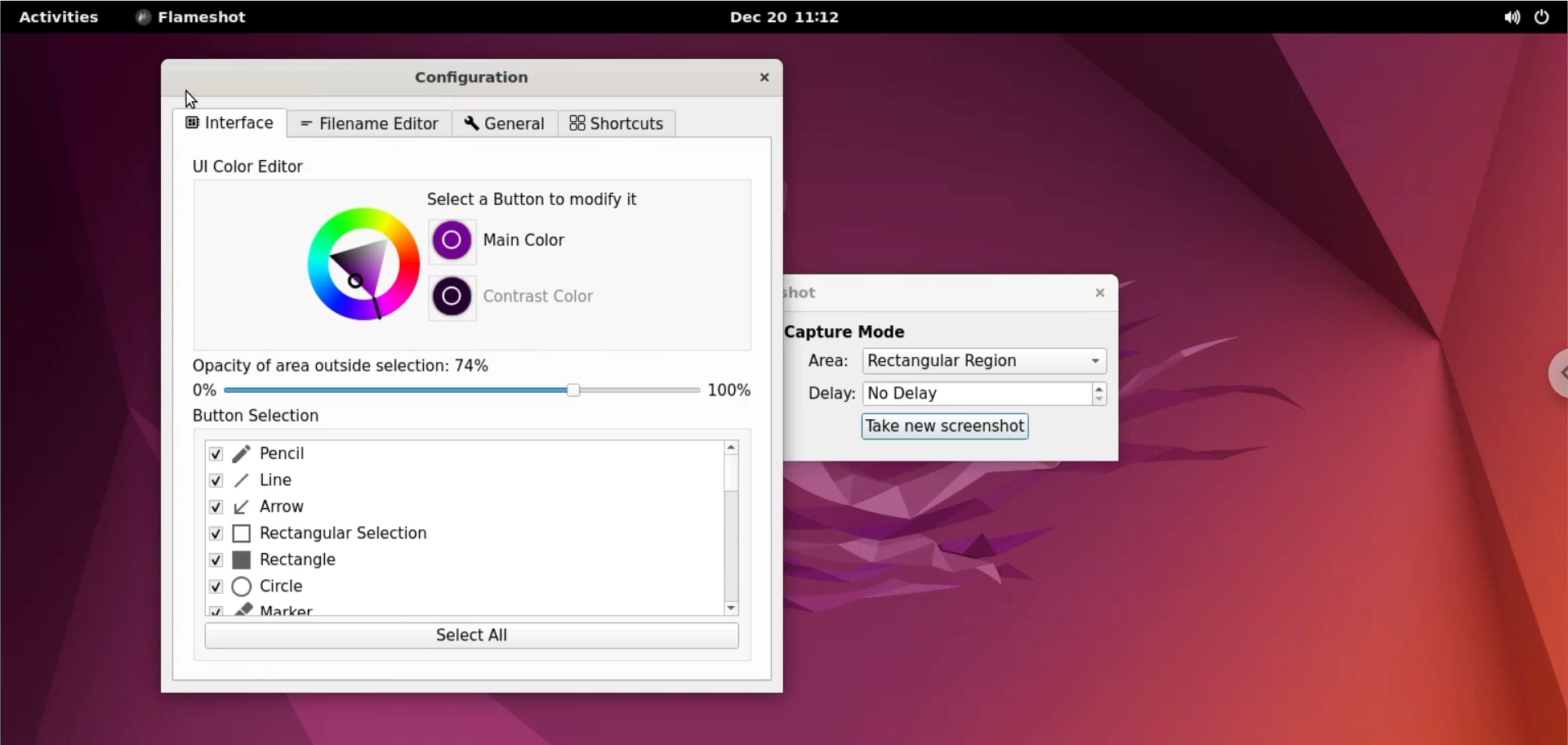 The width and height of the screenshot is (1568, 745). Describe the element at coordinates (459, 590) in the screenshot. I see `circle checkbox` at that location.